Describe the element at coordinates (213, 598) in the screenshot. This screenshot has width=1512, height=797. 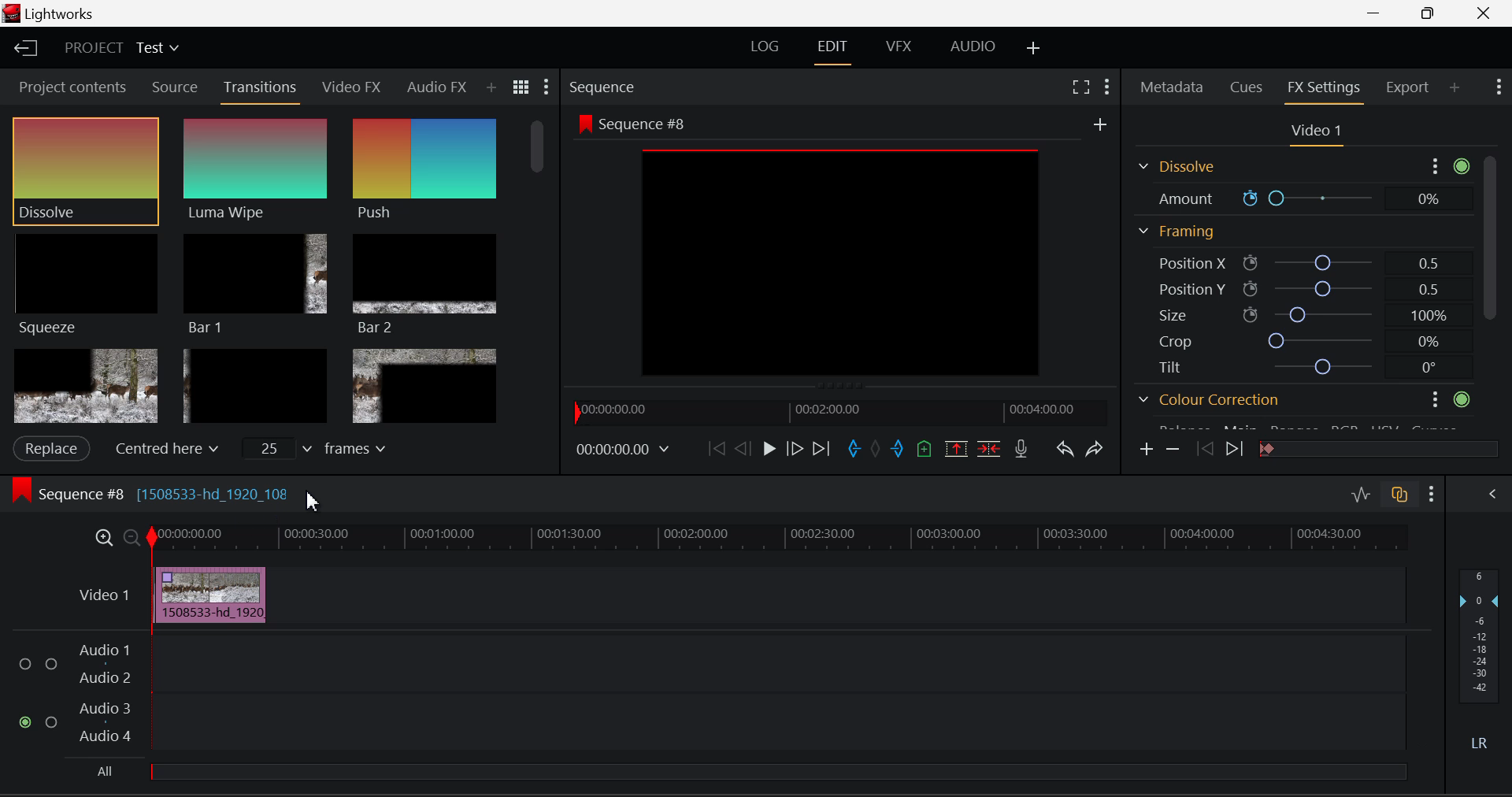
I see `Effect Applied` at that location.